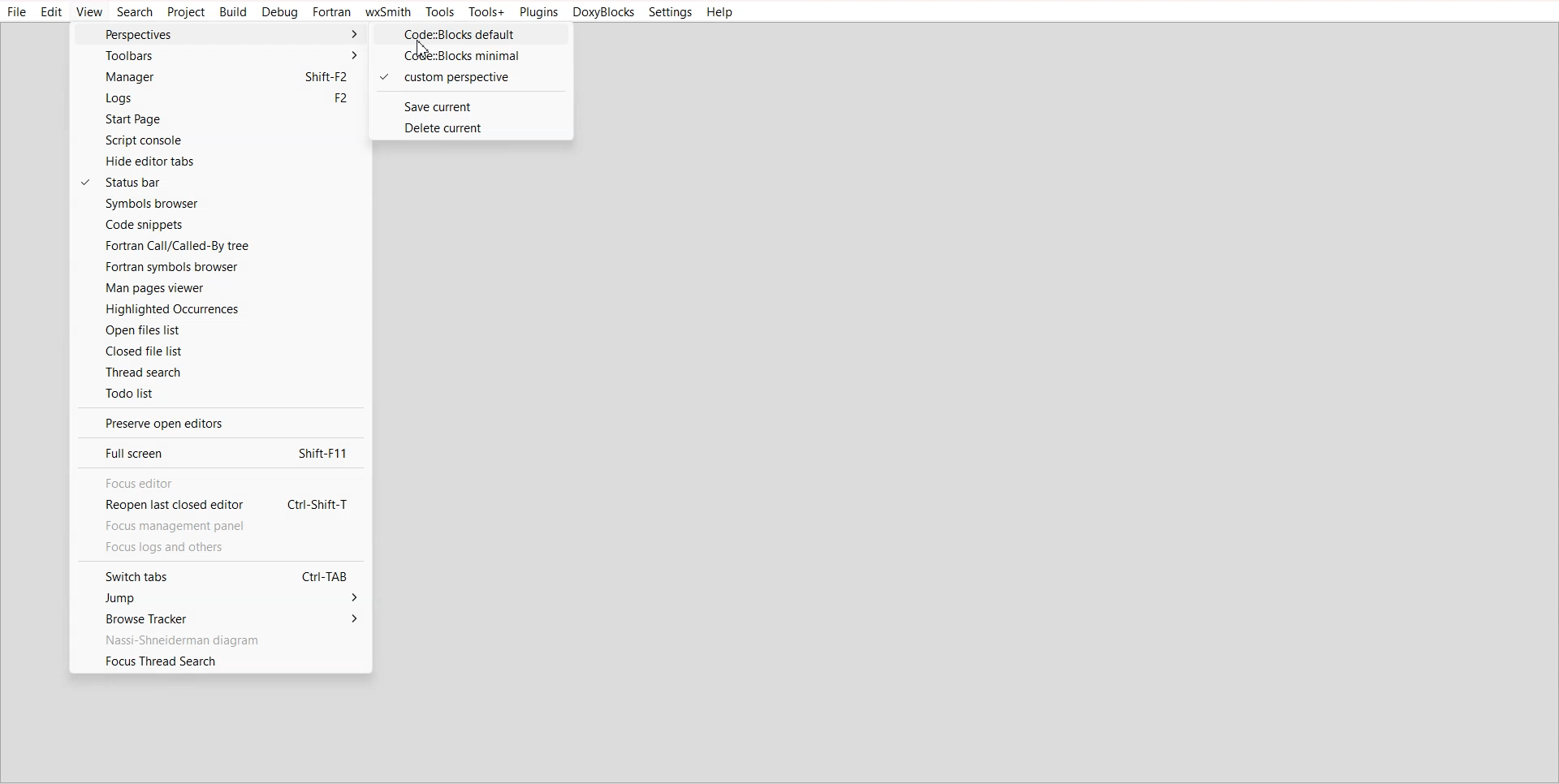 The image size is (1559, 784). Describe the element at coordinates (486, 12) in the screenshot. I see `Tools+` at that location.